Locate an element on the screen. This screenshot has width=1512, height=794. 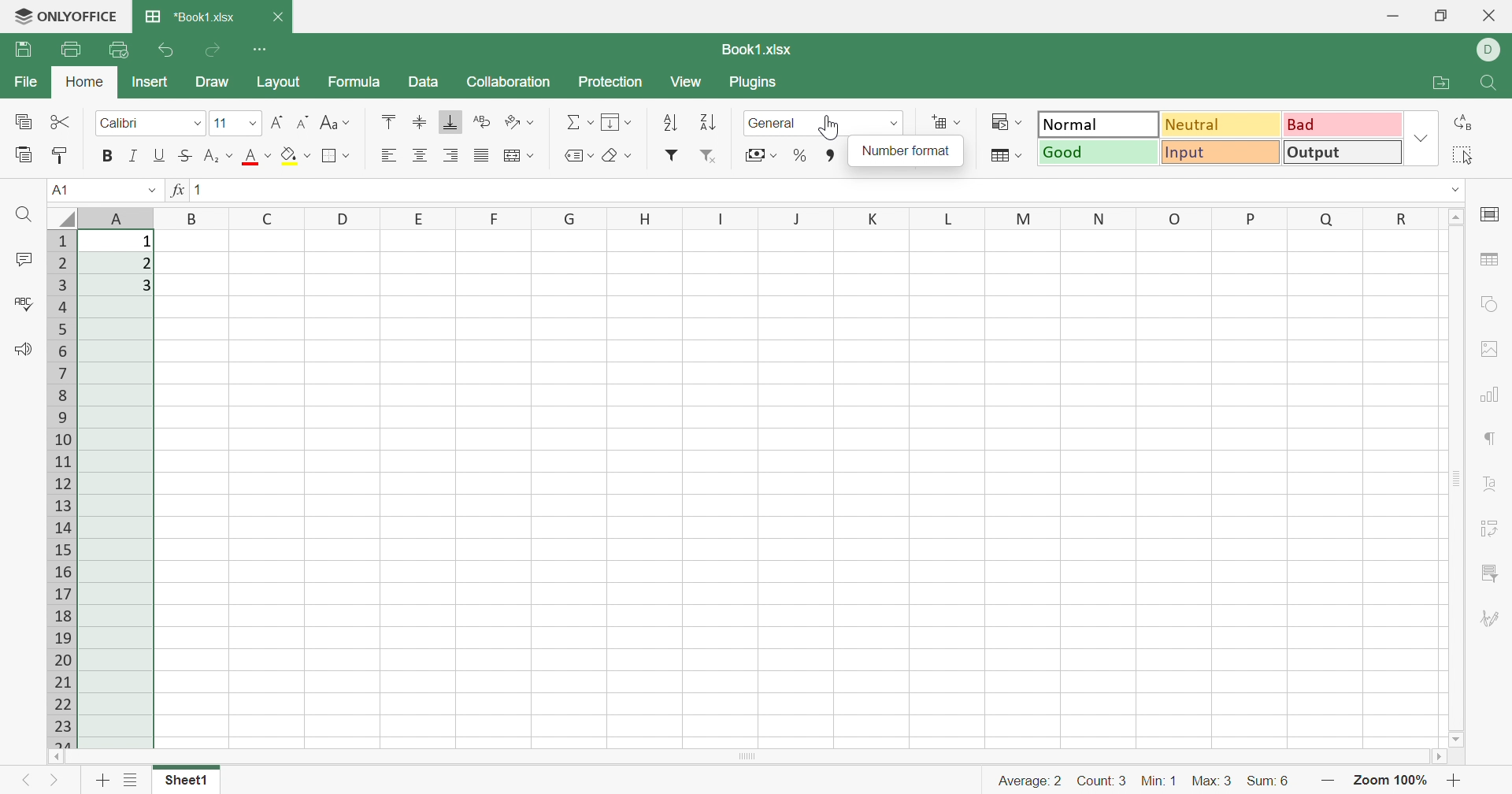
Scroll bar is located at coordinates (747, 756).